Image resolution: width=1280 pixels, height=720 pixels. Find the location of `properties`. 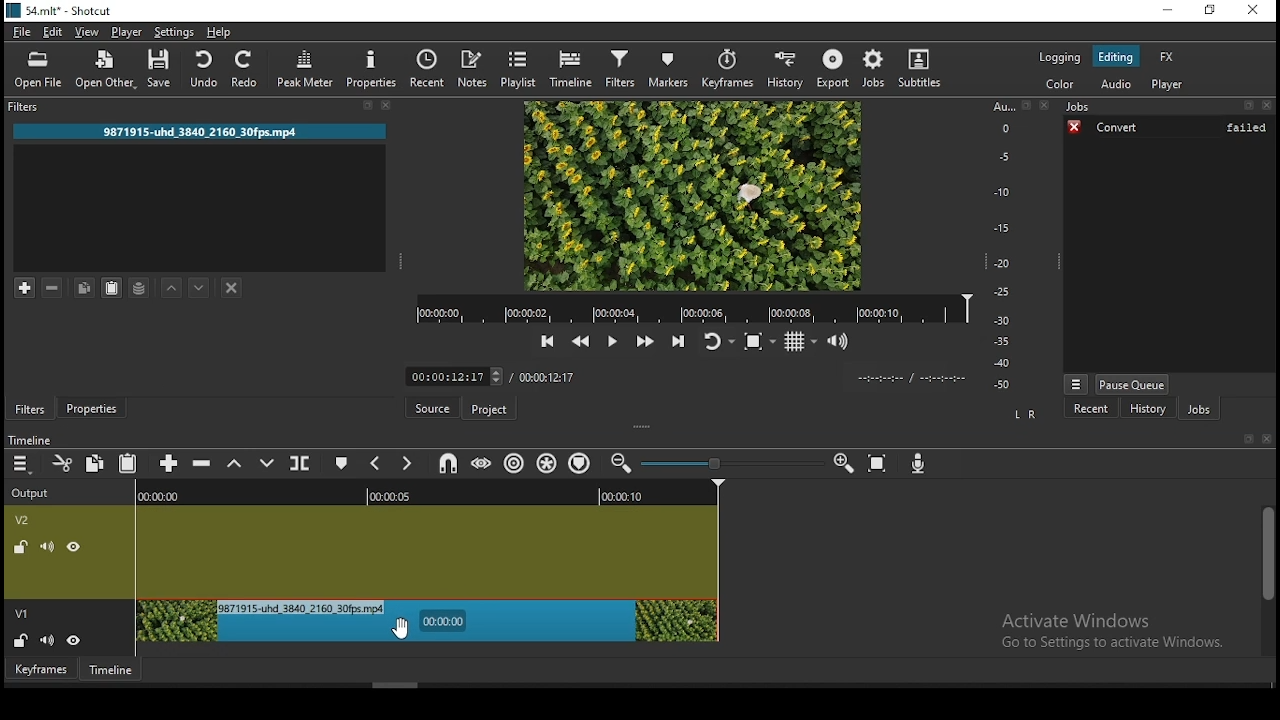

properties is located at coordinates (370, 68).